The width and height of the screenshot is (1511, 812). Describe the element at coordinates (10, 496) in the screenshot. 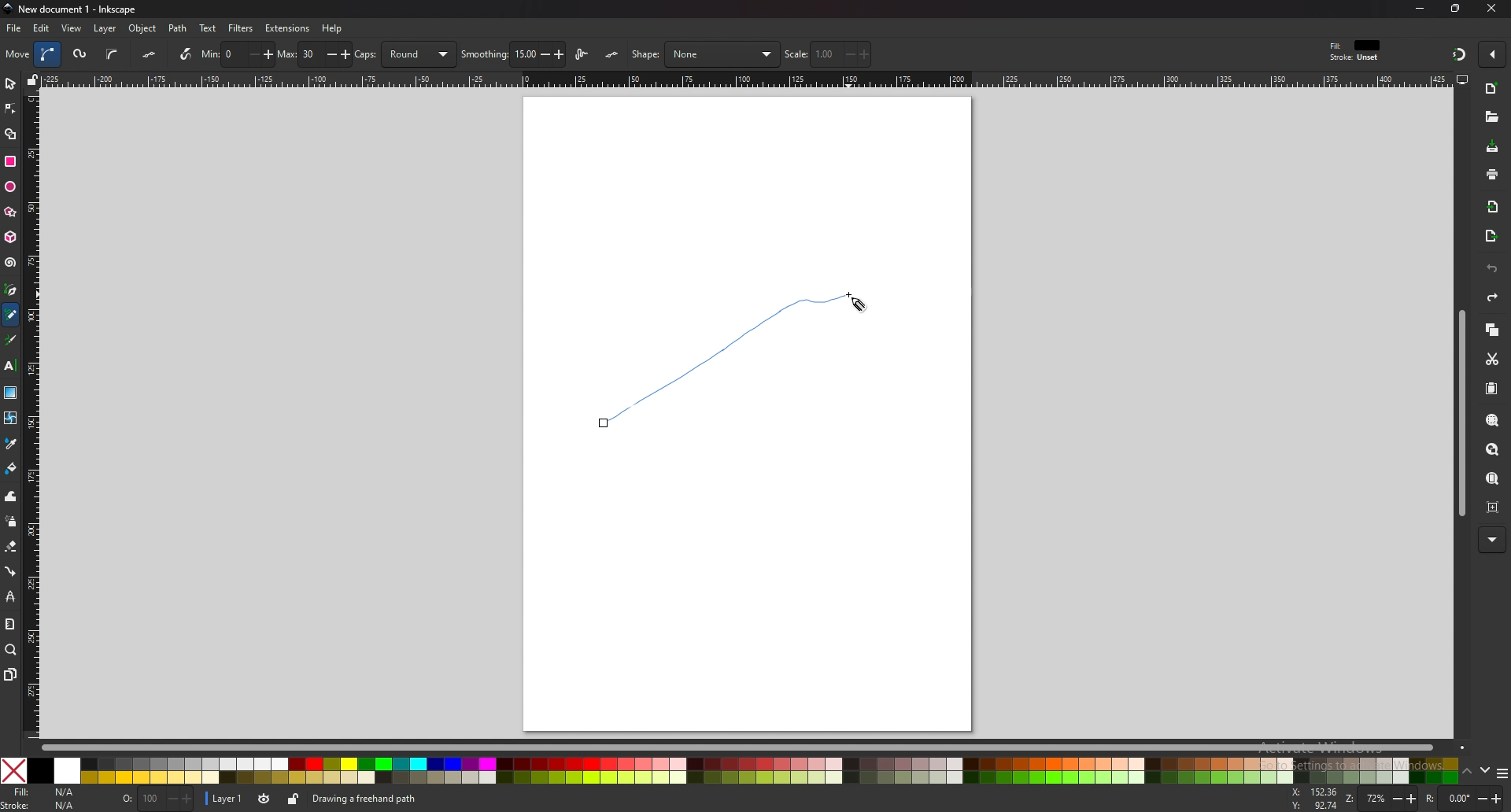

I see `tweak` at that location.